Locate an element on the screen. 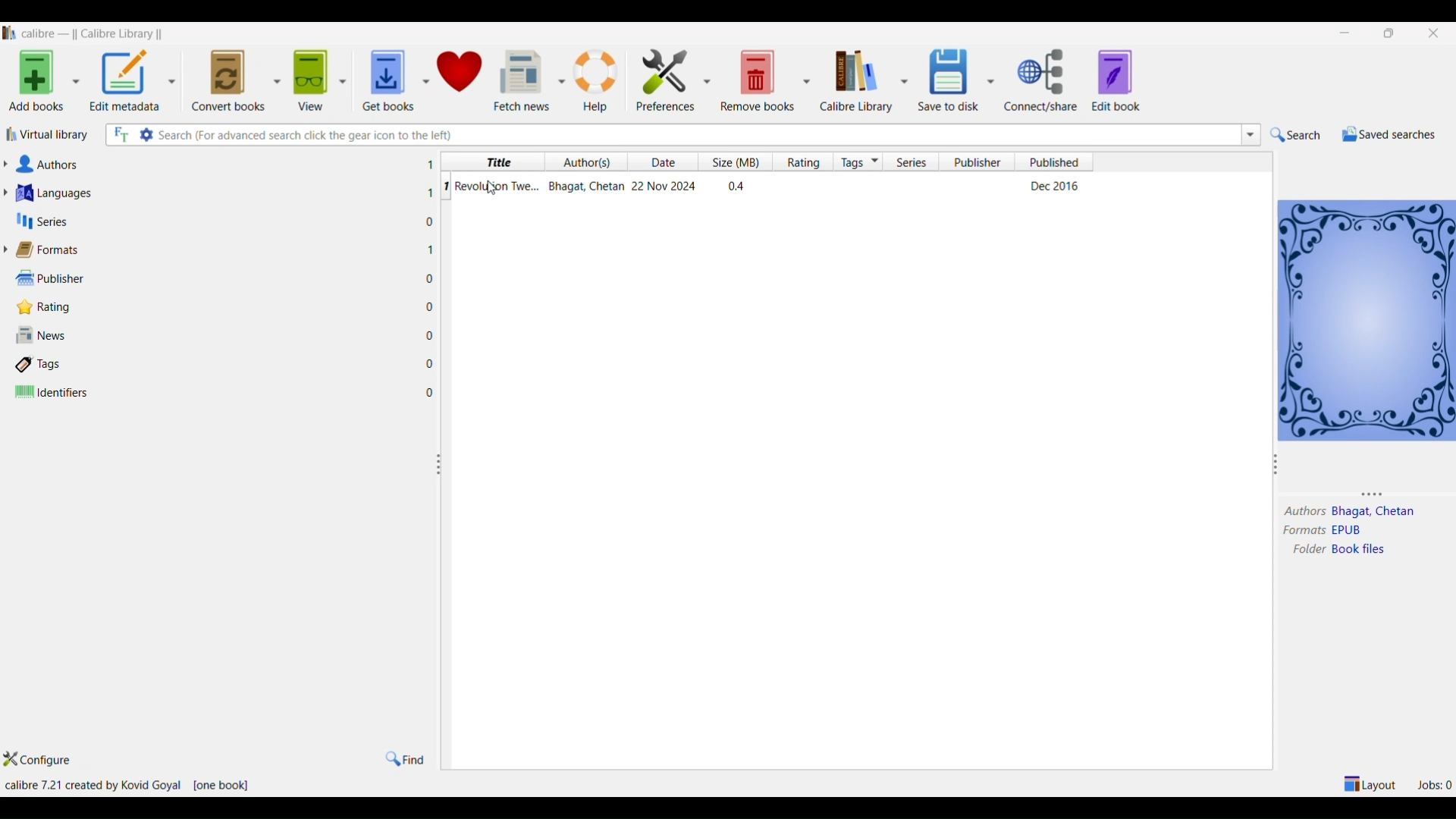 The height and width of the screenshot is (819, 1456). date is located at coordinates (667, 163).